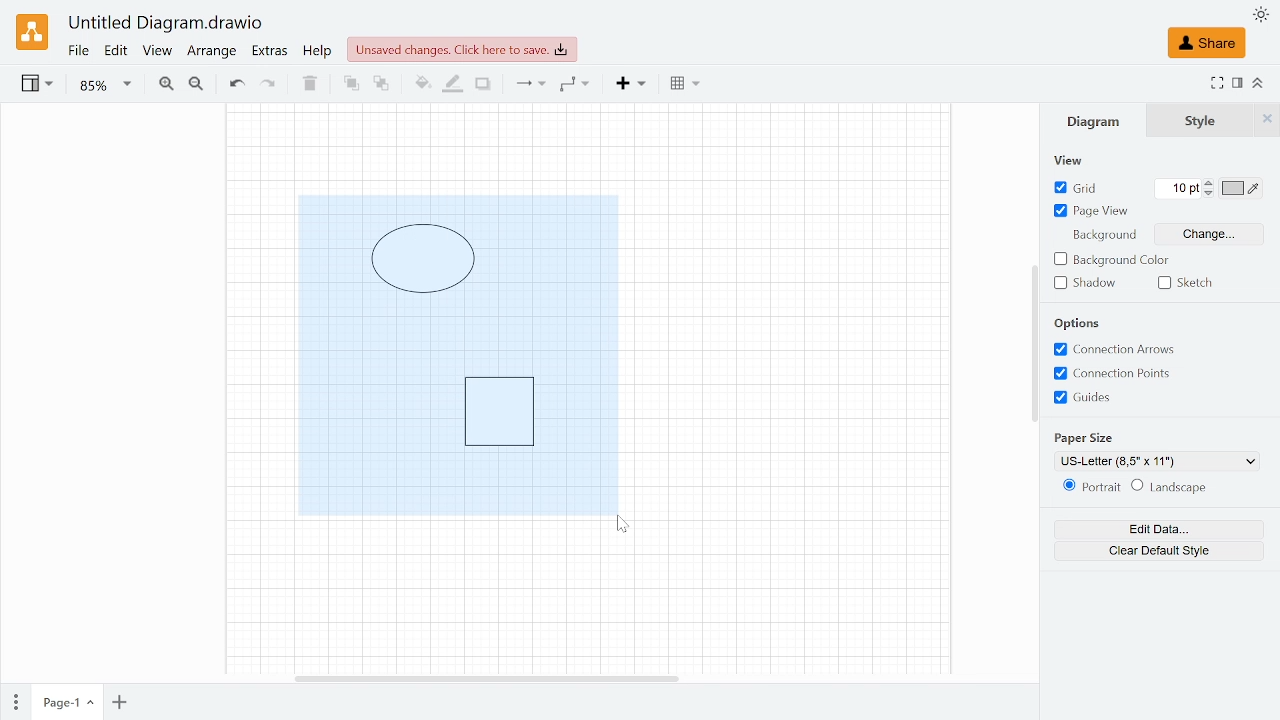 The image size is (1280, 720). Describe the element at coordinates (66, 703) in the screenshot. I see `Current page` at that location.